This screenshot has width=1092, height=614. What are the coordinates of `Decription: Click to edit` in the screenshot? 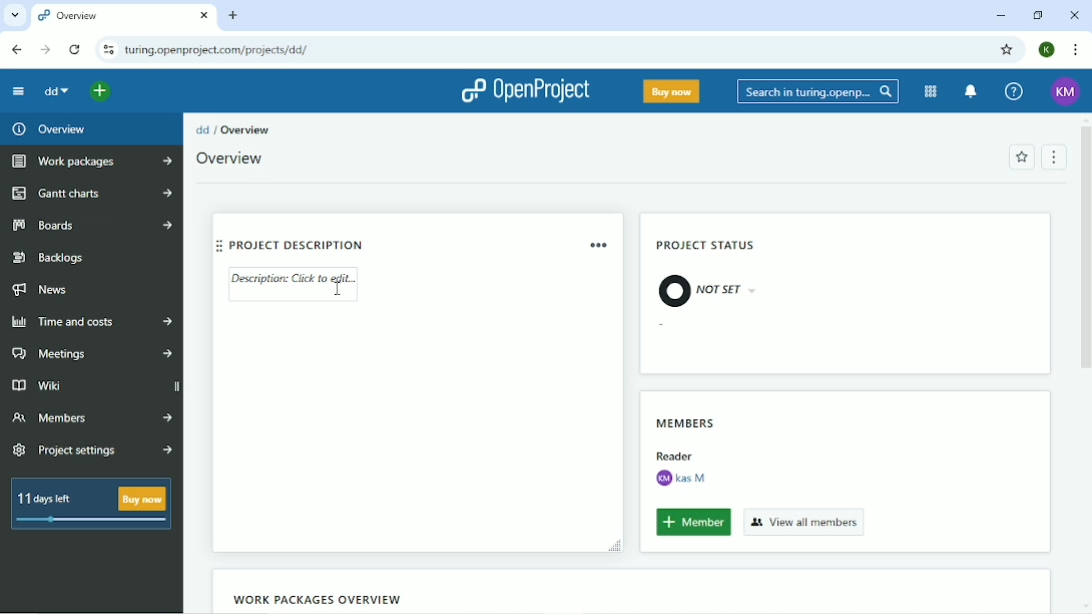 It's located at (296, 284).